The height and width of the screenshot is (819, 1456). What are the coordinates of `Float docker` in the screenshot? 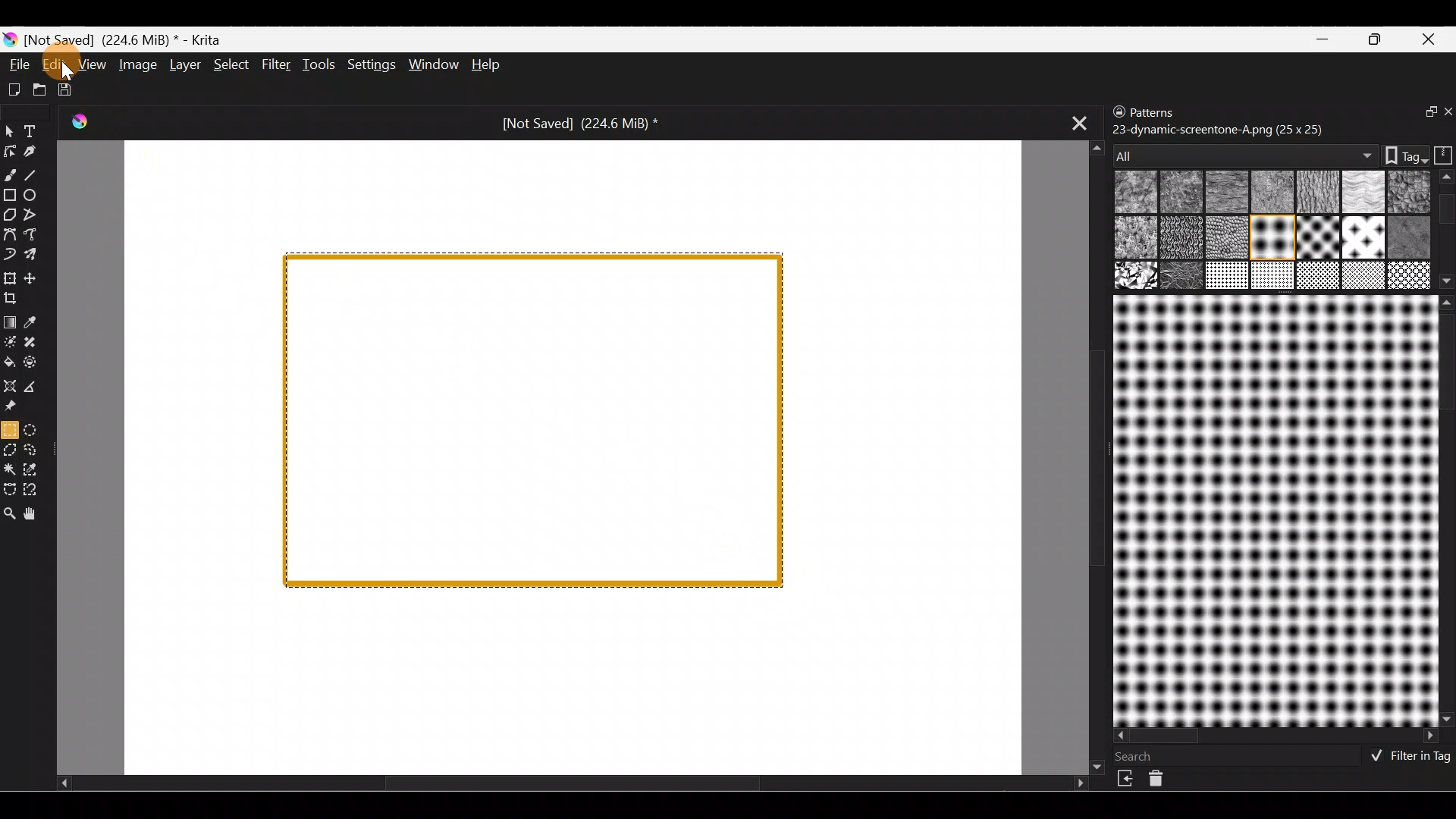 It's located at (1421, 113).